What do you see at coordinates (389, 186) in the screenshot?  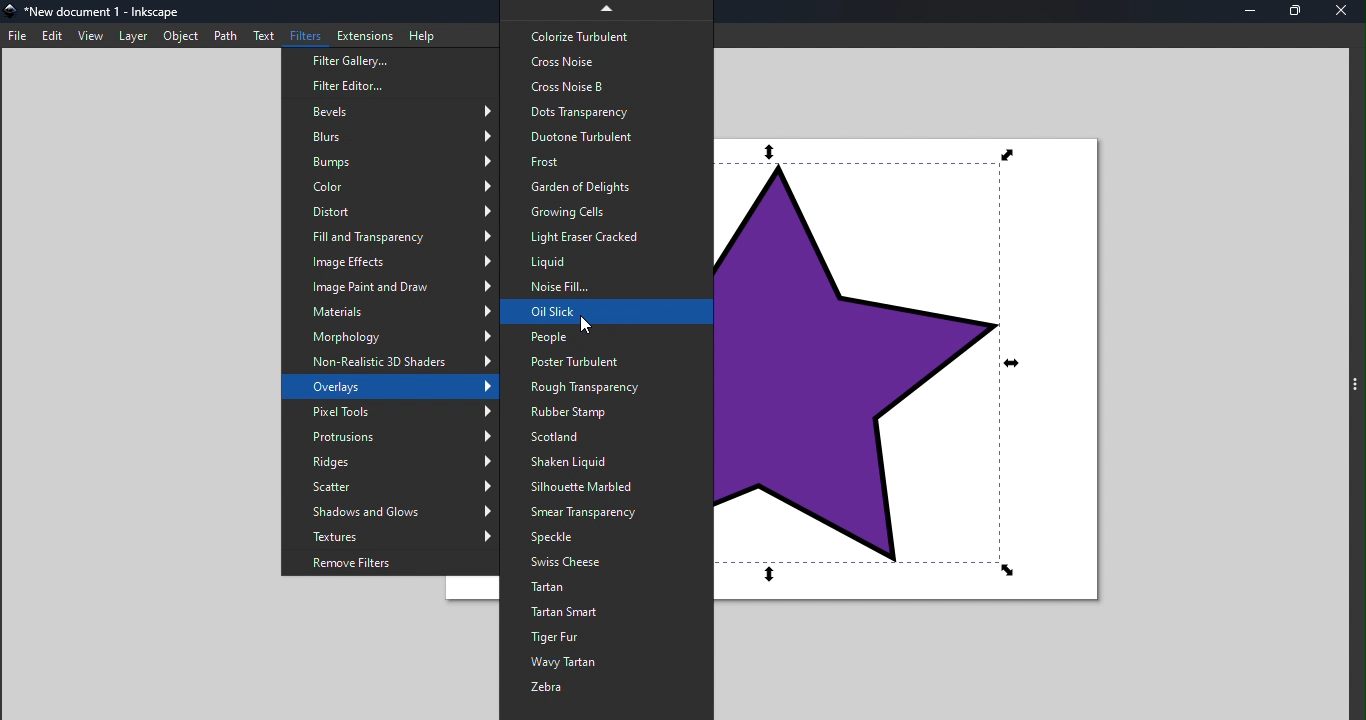 I see `Color` at bounding box center [389, 186].